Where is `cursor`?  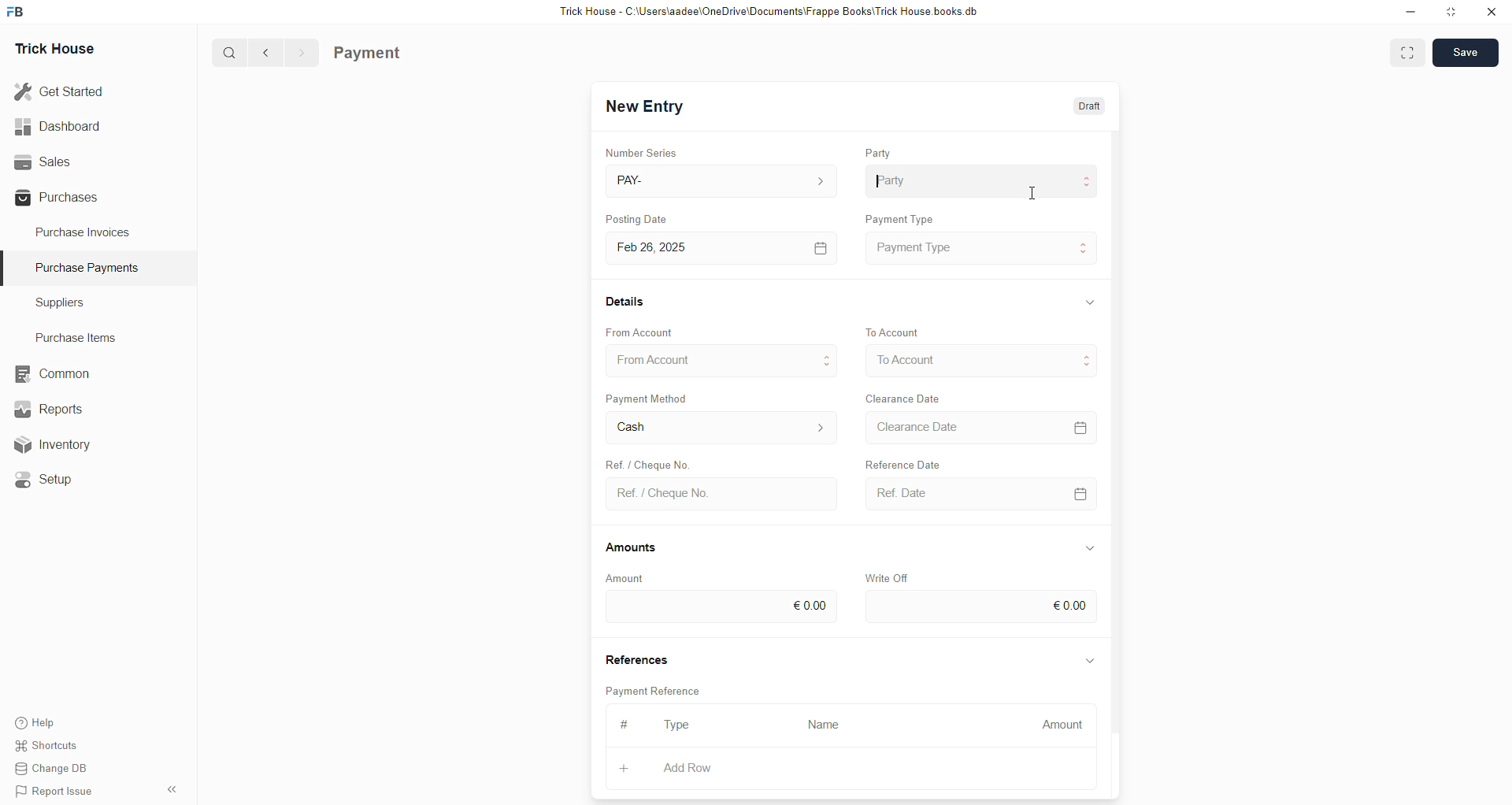 cursor is located at coordinates (1030, 195).